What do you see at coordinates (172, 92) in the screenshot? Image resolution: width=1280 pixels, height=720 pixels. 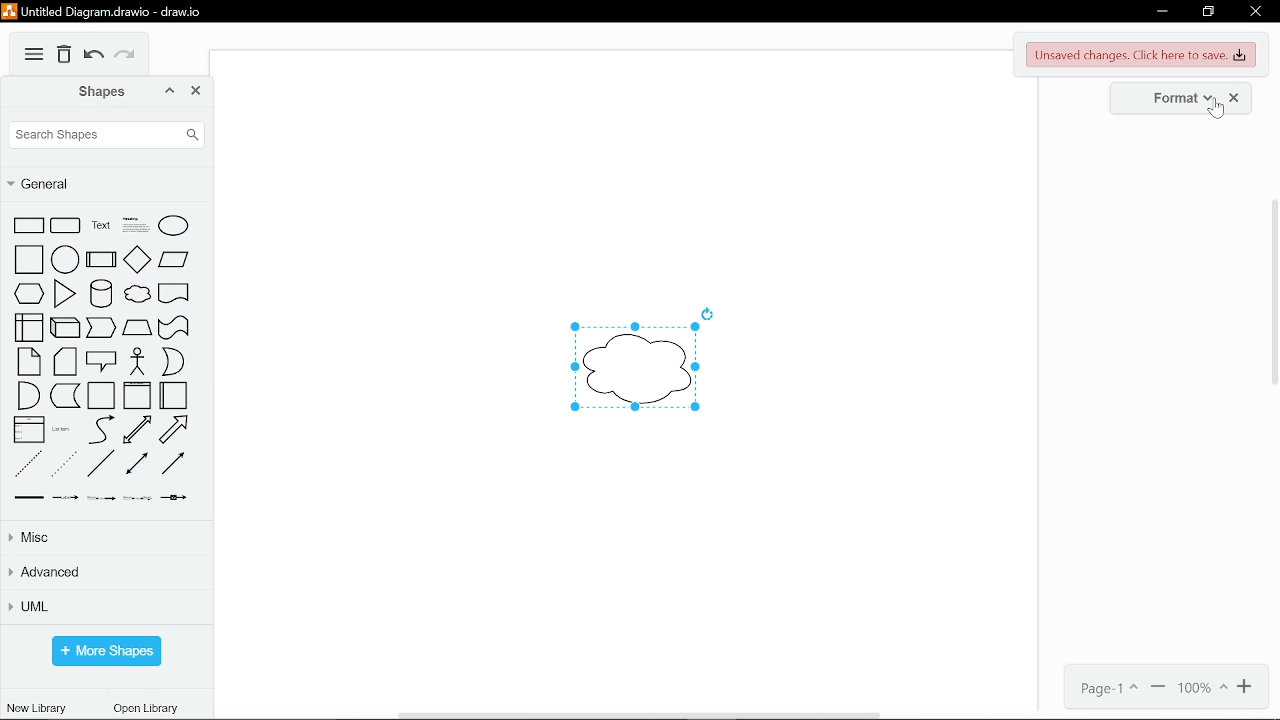 I see `collapse` at bounding box center [172, 92].